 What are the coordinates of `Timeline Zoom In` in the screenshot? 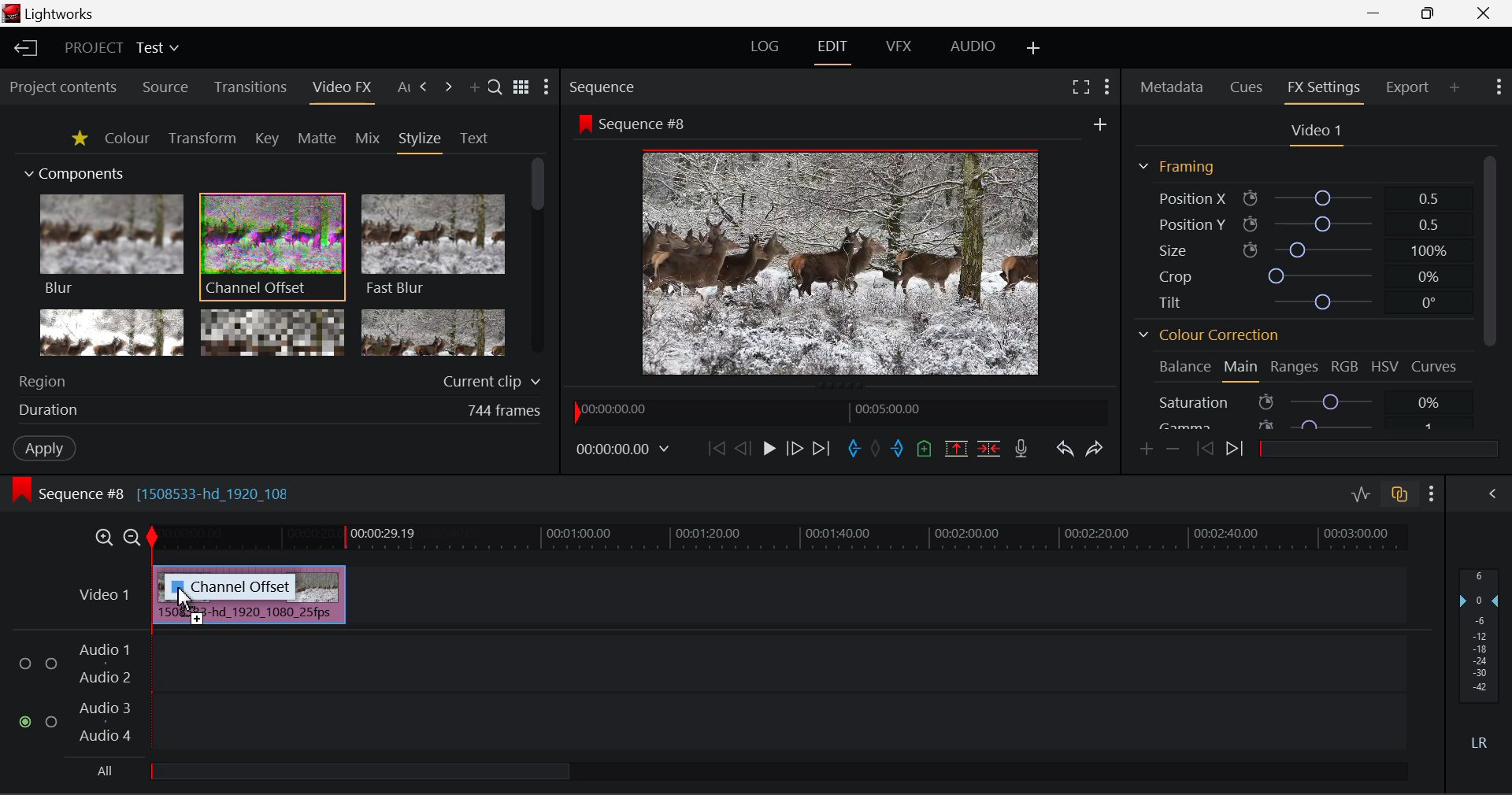 It's located at (103, 539).